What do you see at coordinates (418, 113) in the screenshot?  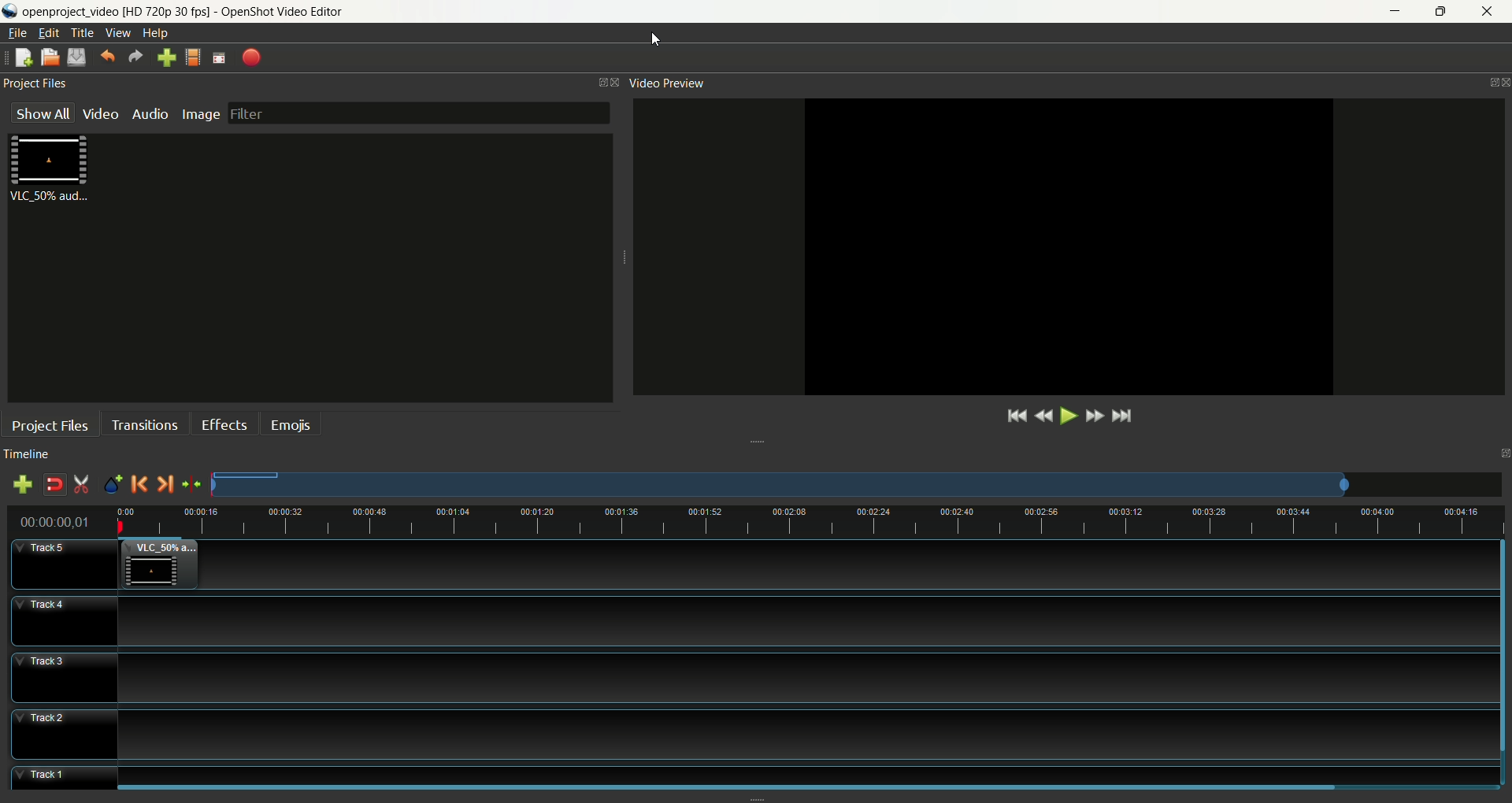 I see `filter` at bounding box center [418, 113].